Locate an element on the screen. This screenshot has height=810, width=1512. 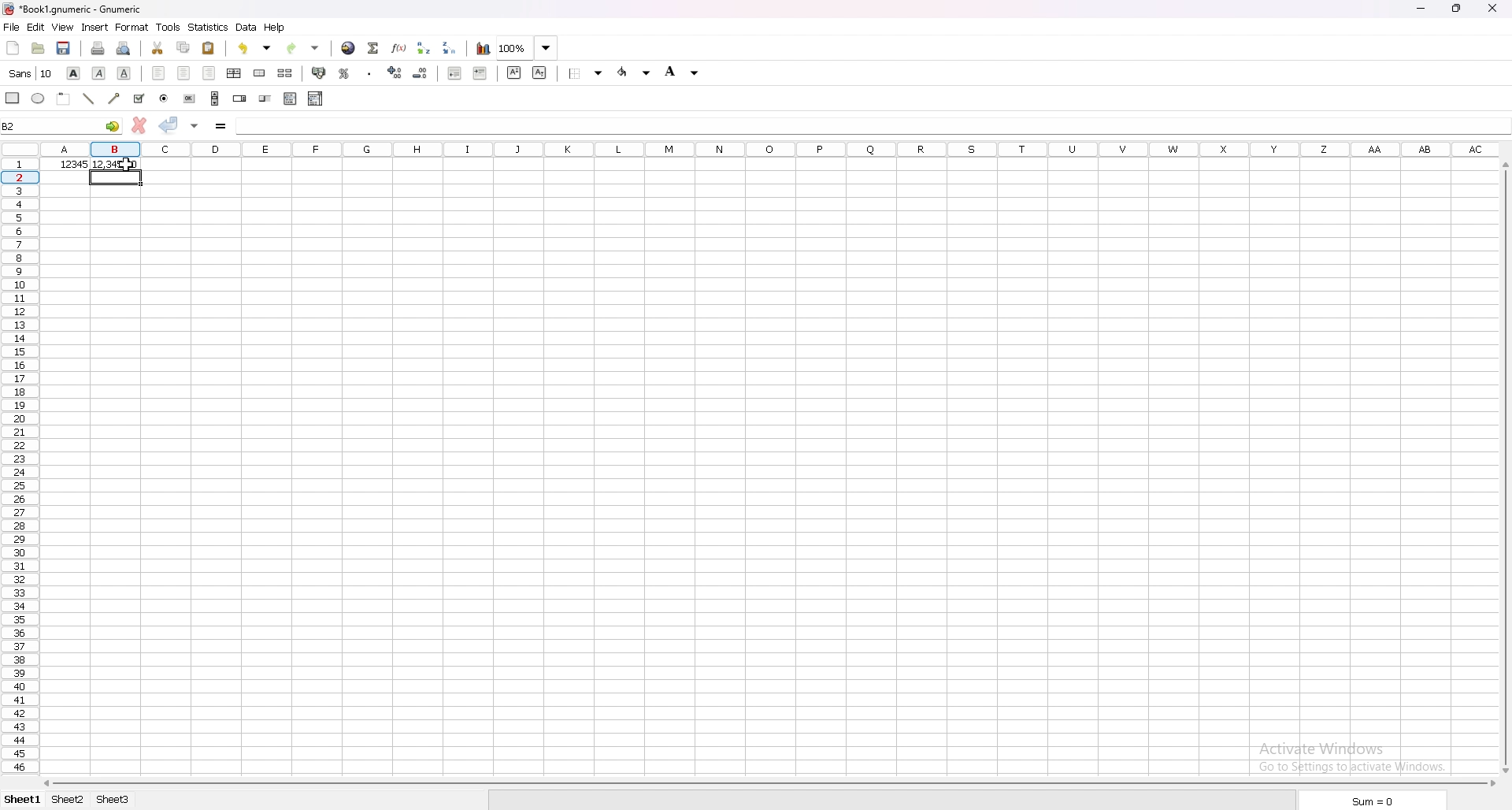
accept changes is located at coordinates (169, 126).